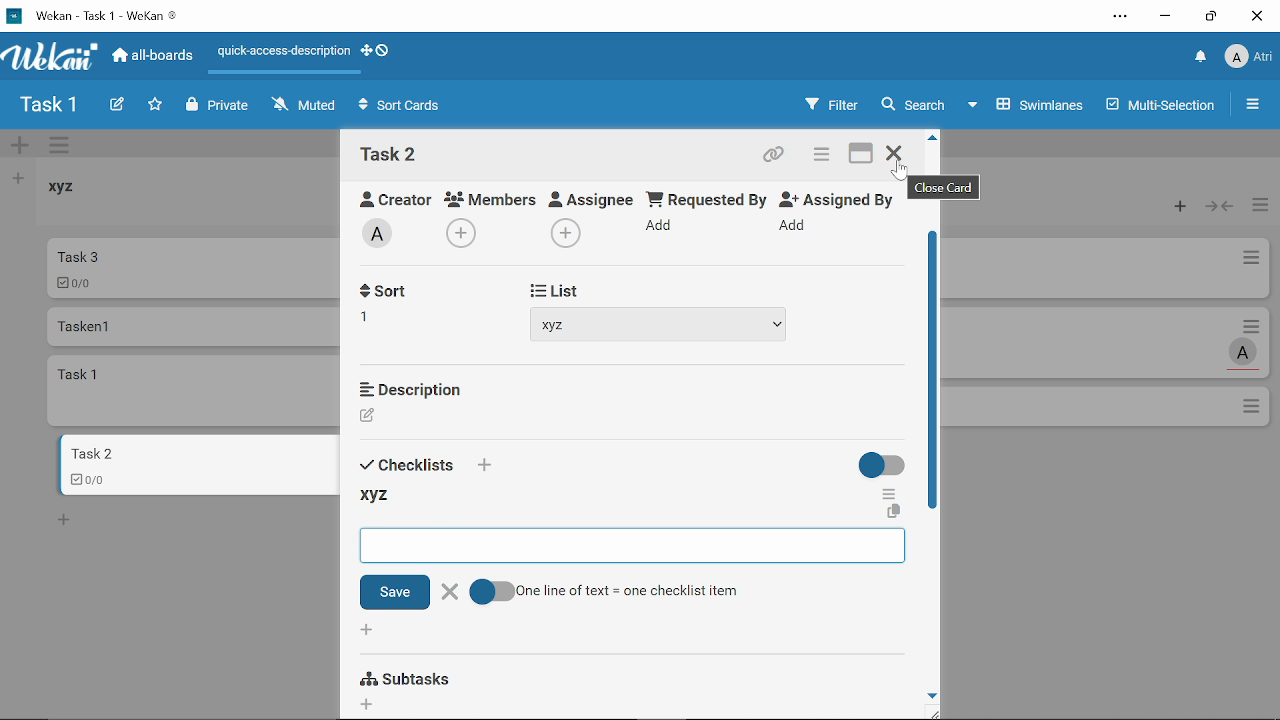 This screenshot has width=1280, height=720. I want to click on Open/close sidebar, so click(1255, 107).